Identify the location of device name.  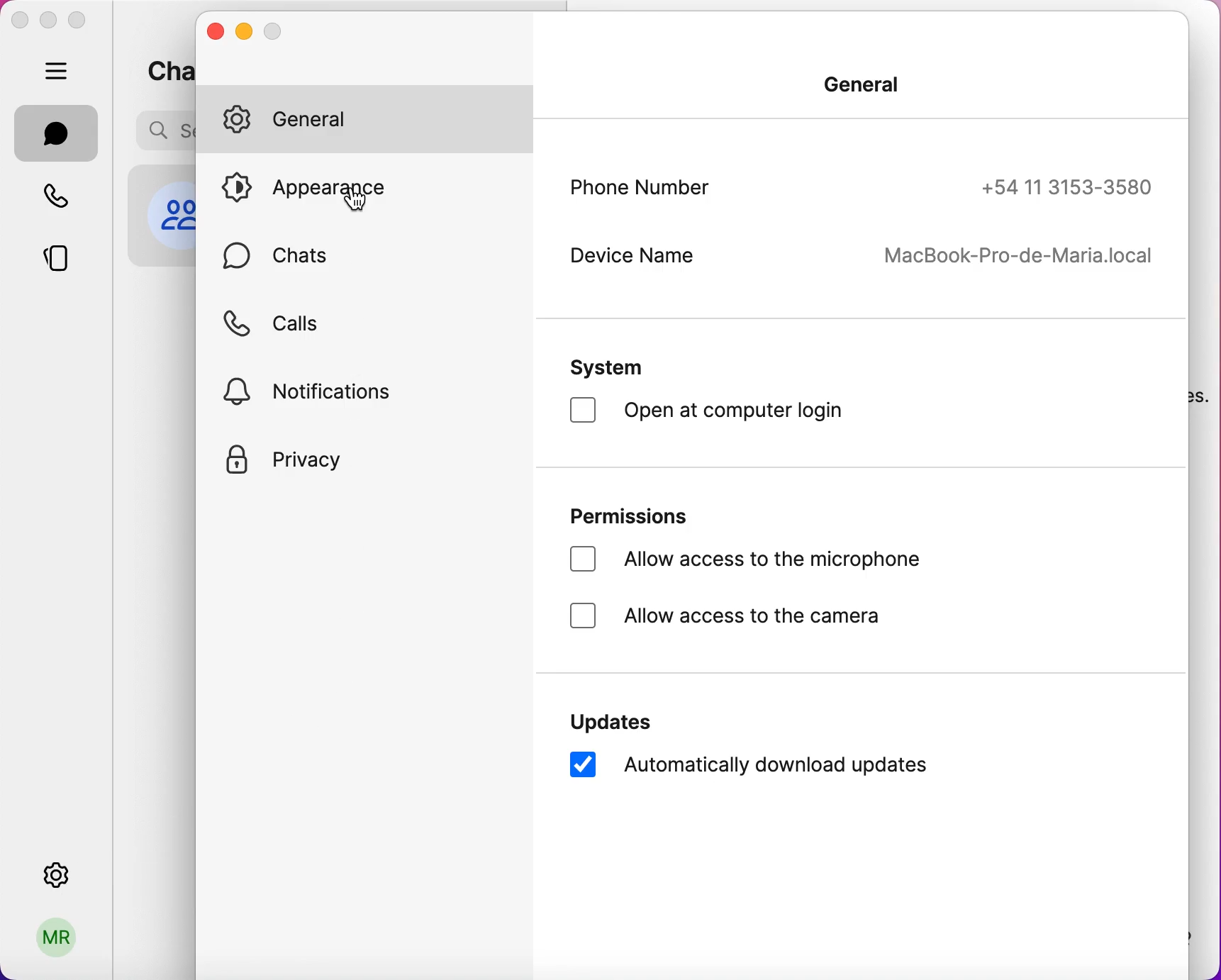
(847, 264).